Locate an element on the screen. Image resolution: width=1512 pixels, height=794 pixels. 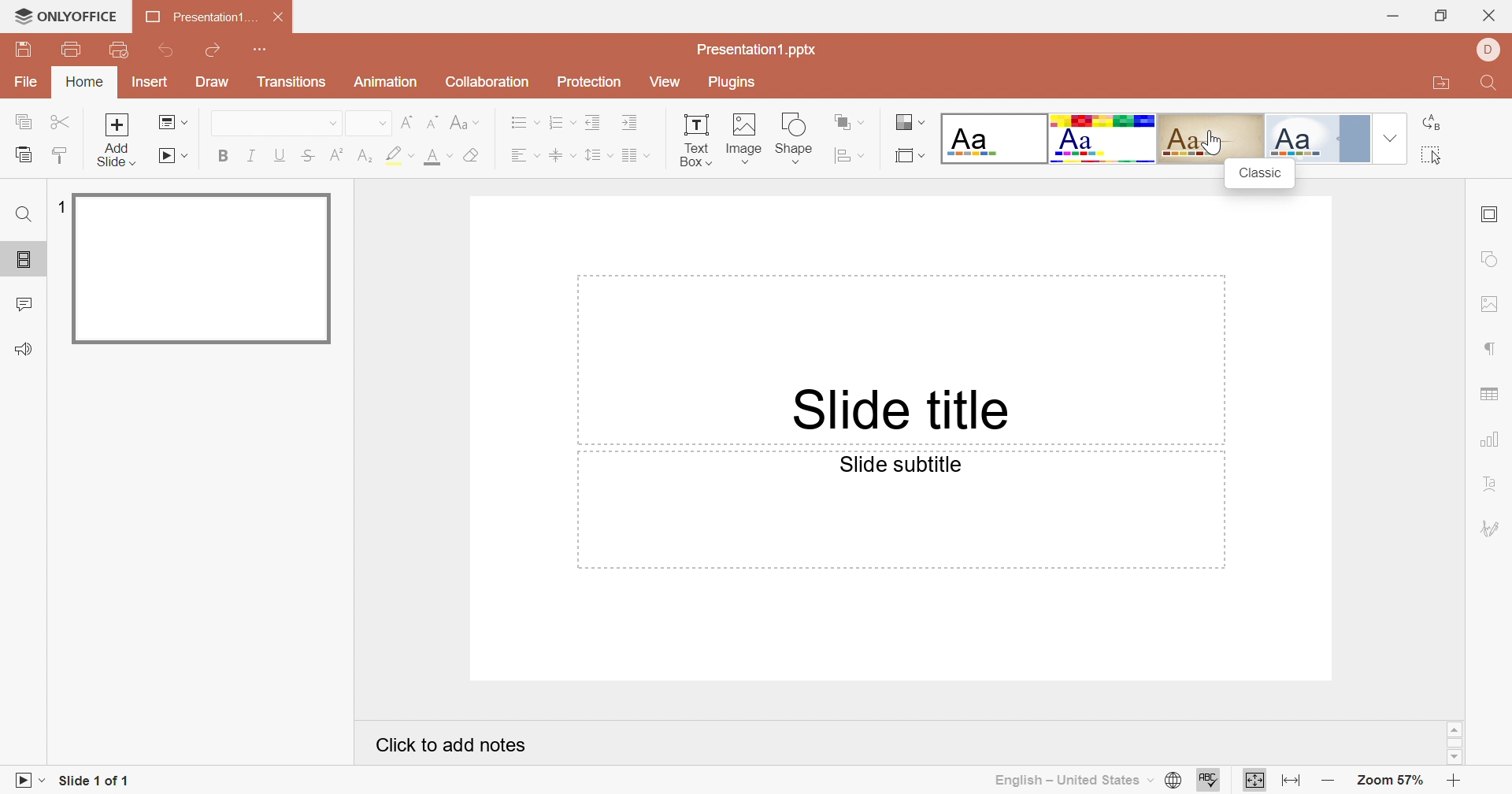
Drop Down is located at coordinates (925, 155).